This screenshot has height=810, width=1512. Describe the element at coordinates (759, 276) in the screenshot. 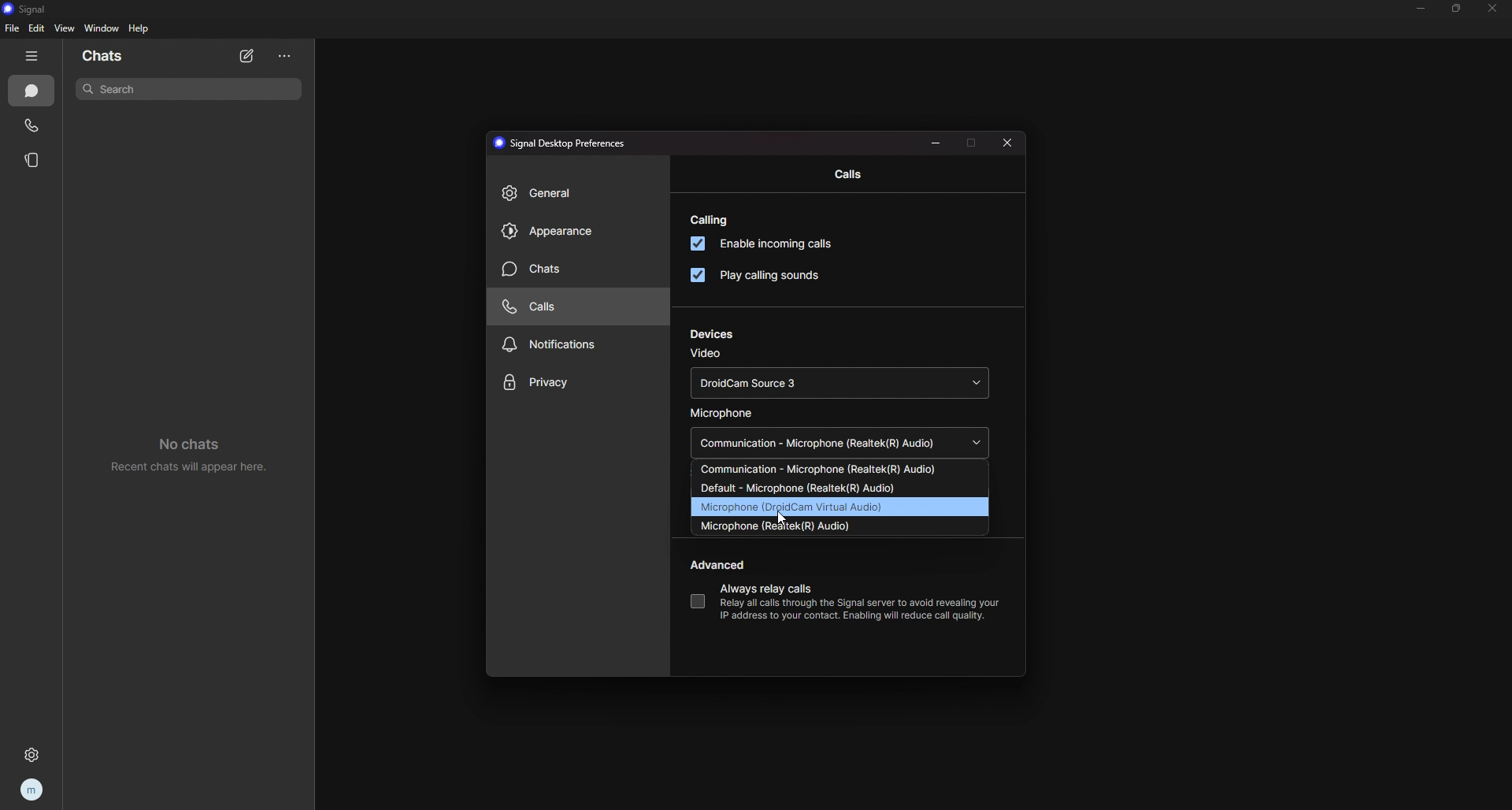

I see `play calling sounds` at that location.